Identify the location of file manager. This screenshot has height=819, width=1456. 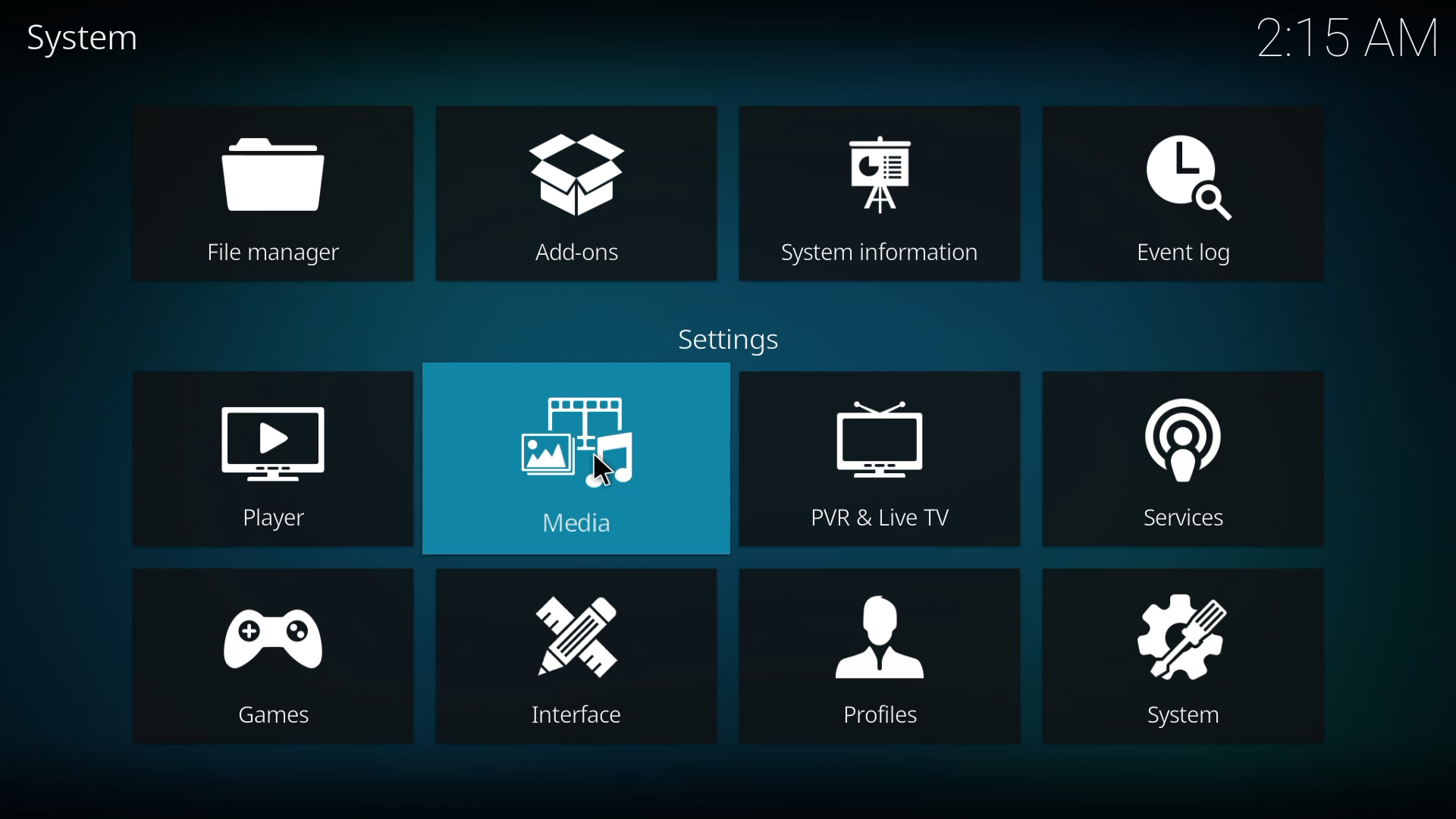
(273, 196).